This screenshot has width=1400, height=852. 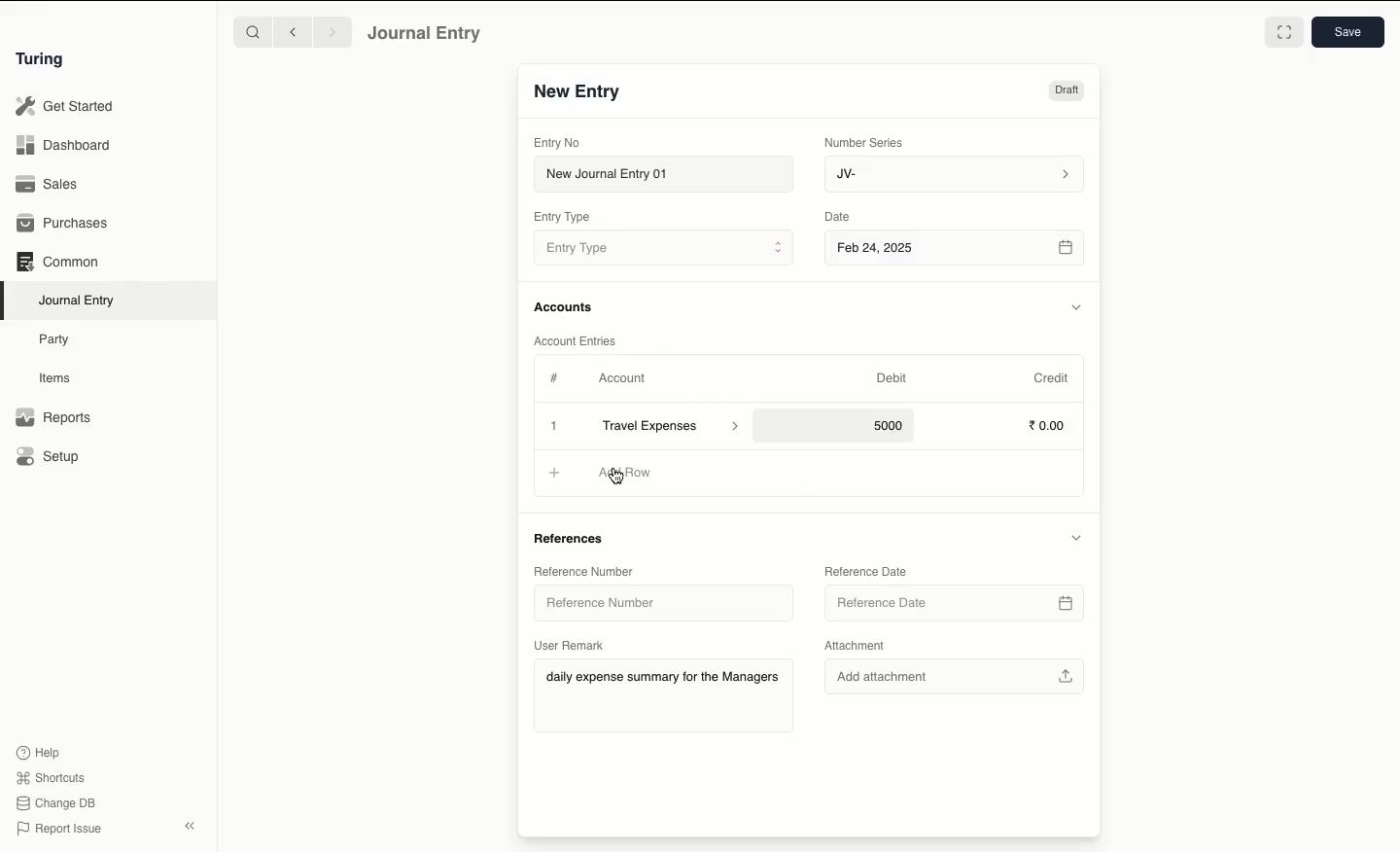 I want to click on Account, so click(x=623, y=378).